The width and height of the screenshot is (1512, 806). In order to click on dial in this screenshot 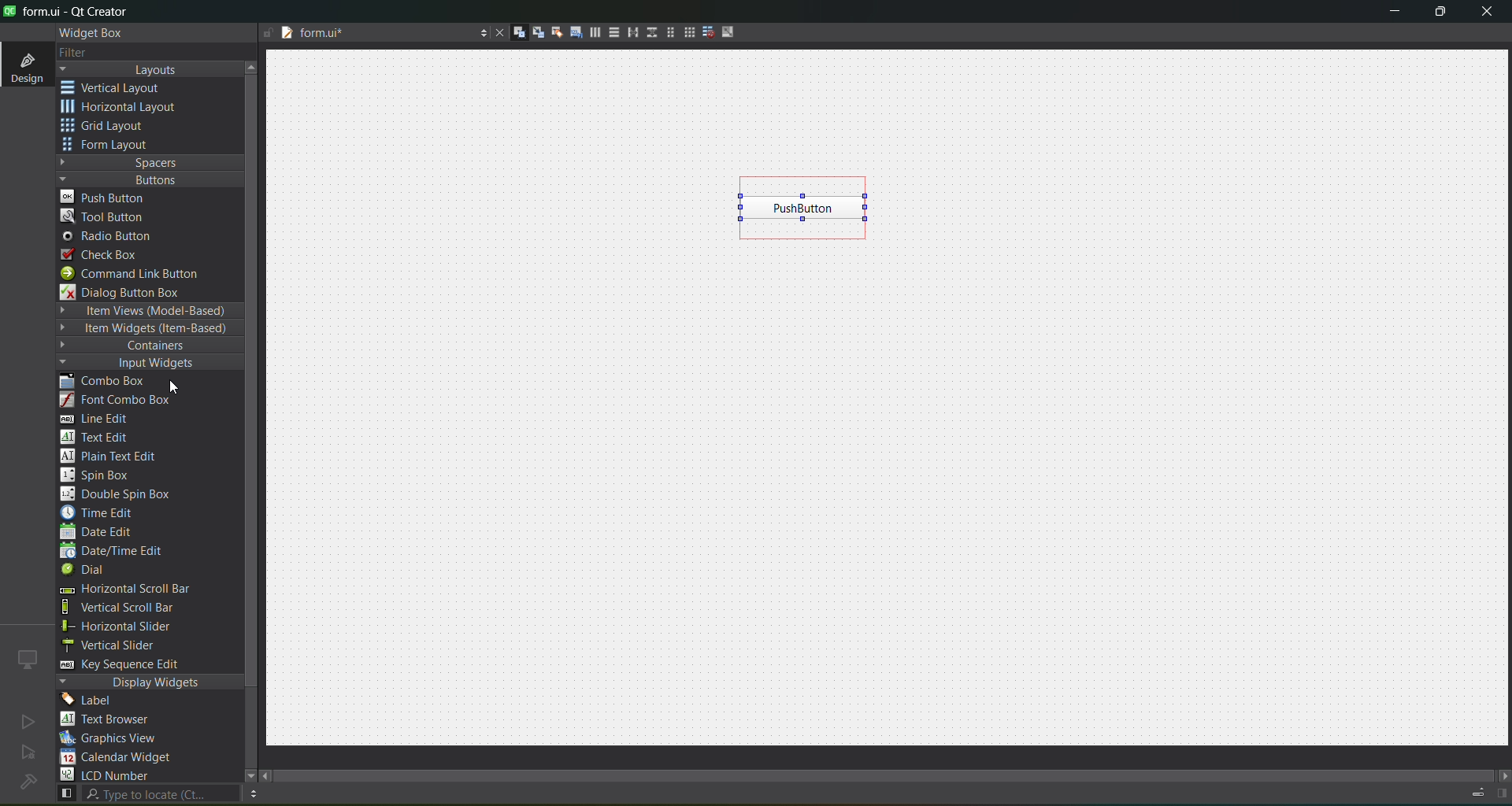, I will do `click(88, 571)`.